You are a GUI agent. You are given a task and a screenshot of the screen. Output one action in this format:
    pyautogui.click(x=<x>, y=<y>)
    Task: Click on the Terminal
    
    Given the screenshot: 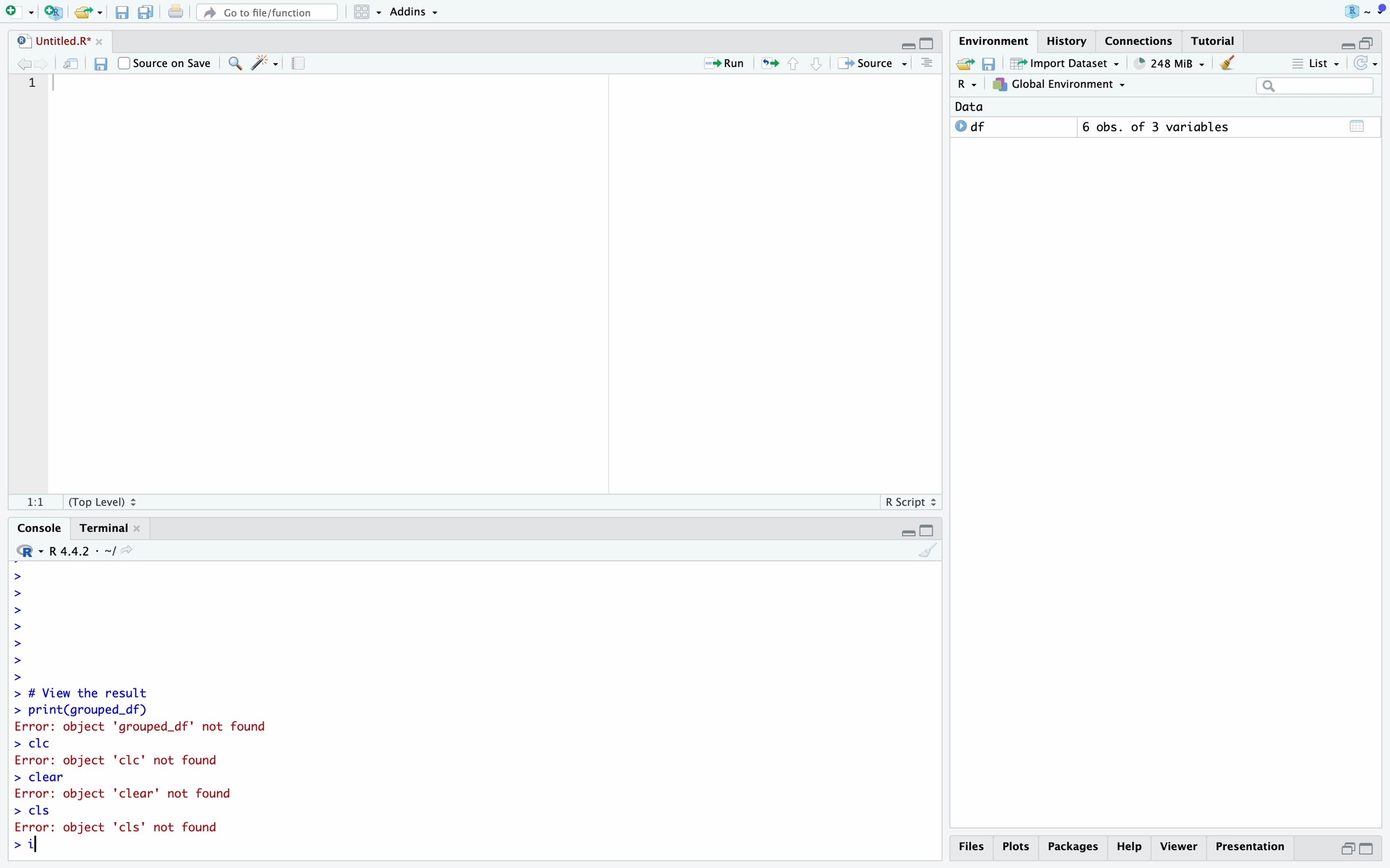 What is the action you would take?
    pyautogui.click(x=110, y=529)
    